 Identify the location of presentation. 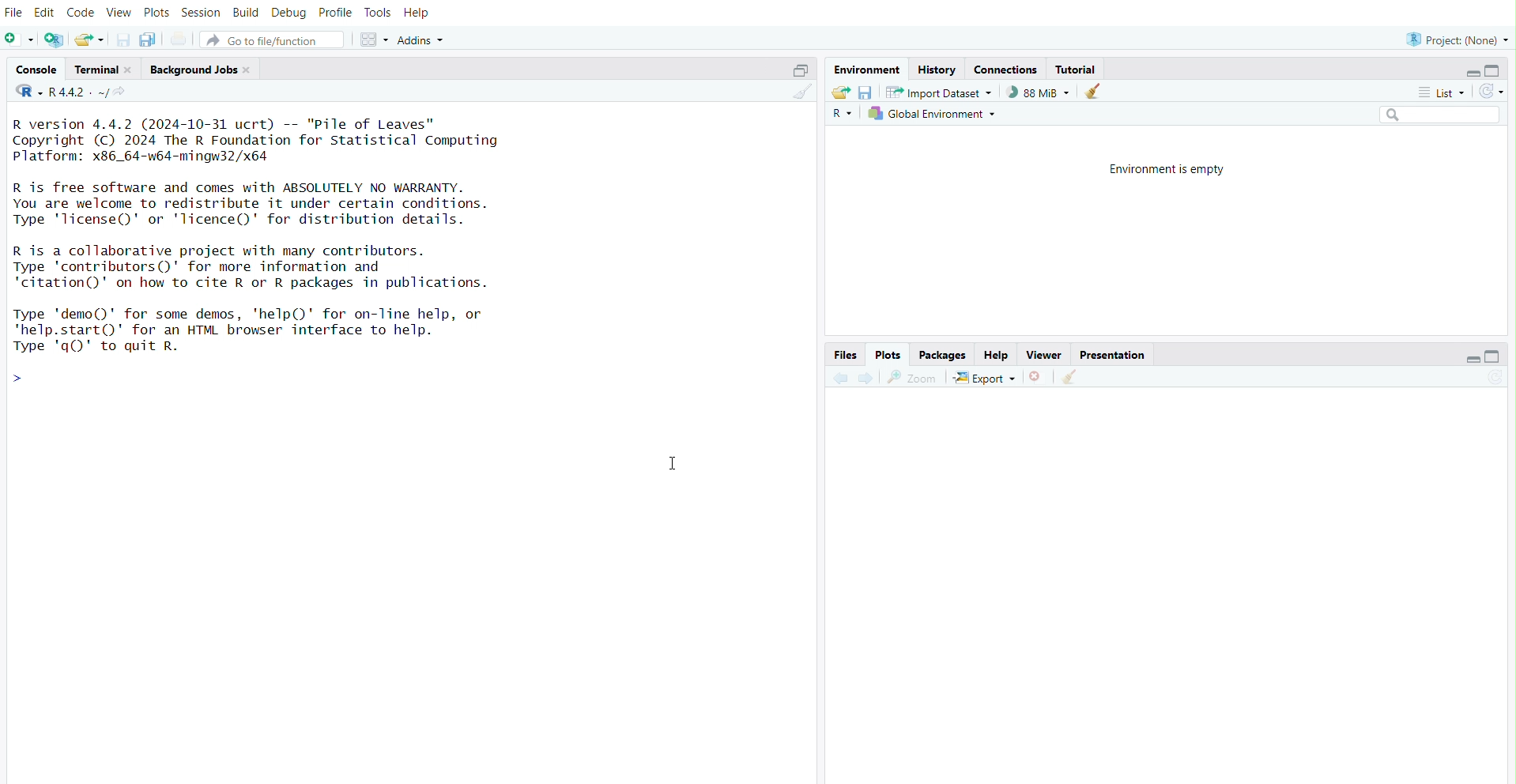
(1117, 353).